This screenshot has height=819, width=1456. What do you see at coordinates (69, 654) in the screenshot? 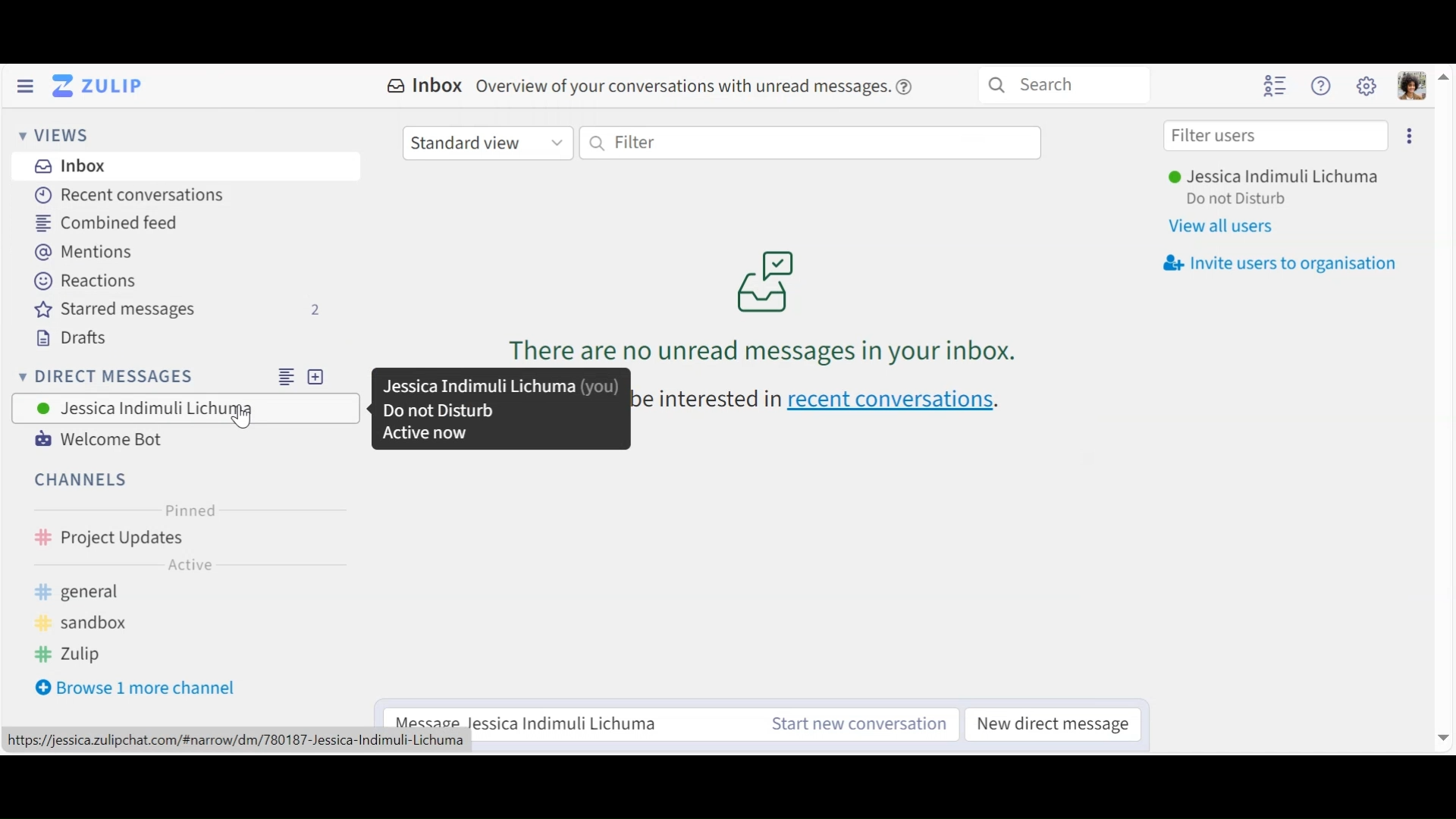
I see `zulip` at bounding box center [69, 654].